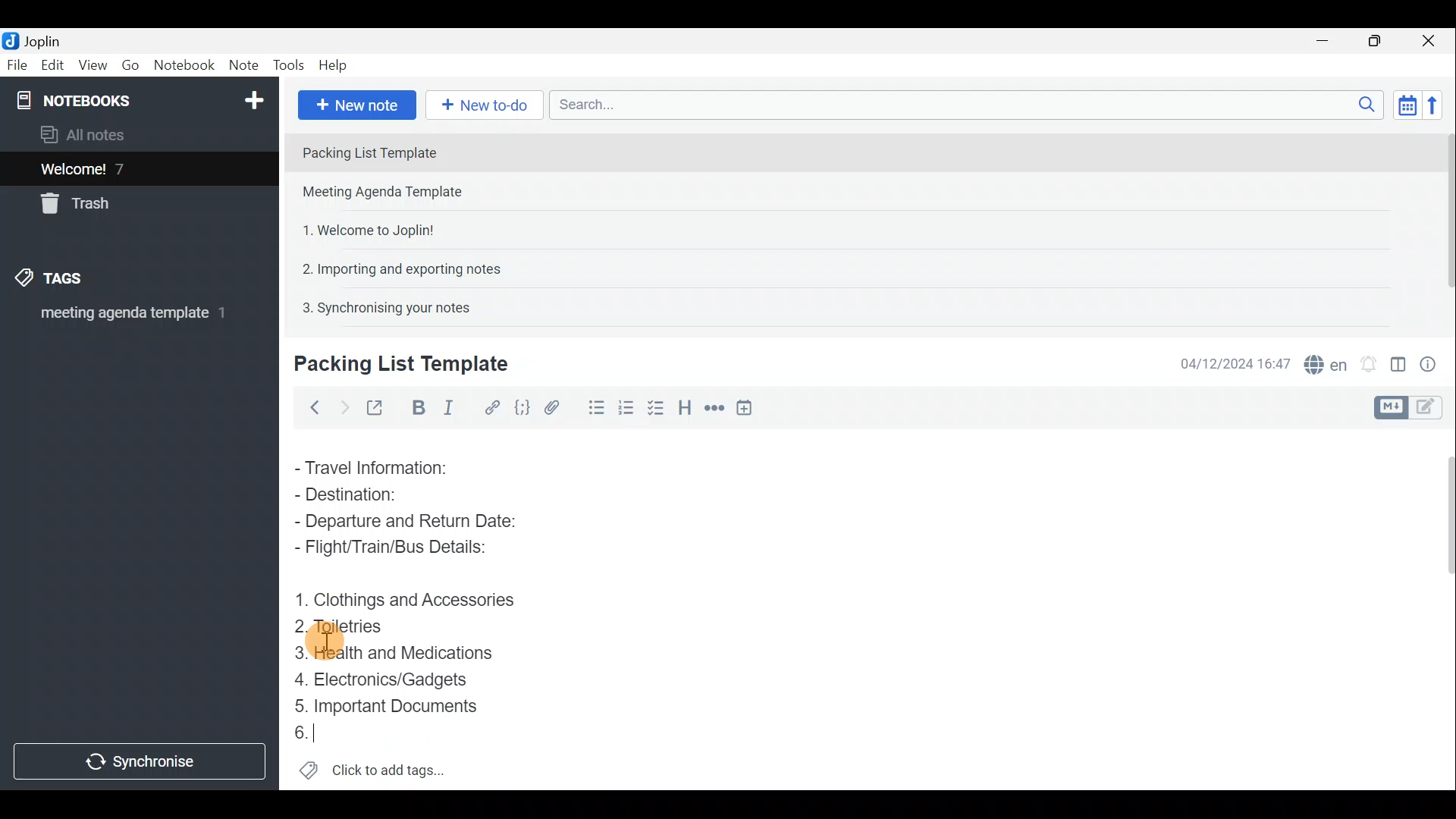 Image resolution: width=1456 pixels, height=819 pixels. What do you see at coordinates (376, 406) in the screenshot?
I see `Toggle external editing` at bounding box center [376, 406].